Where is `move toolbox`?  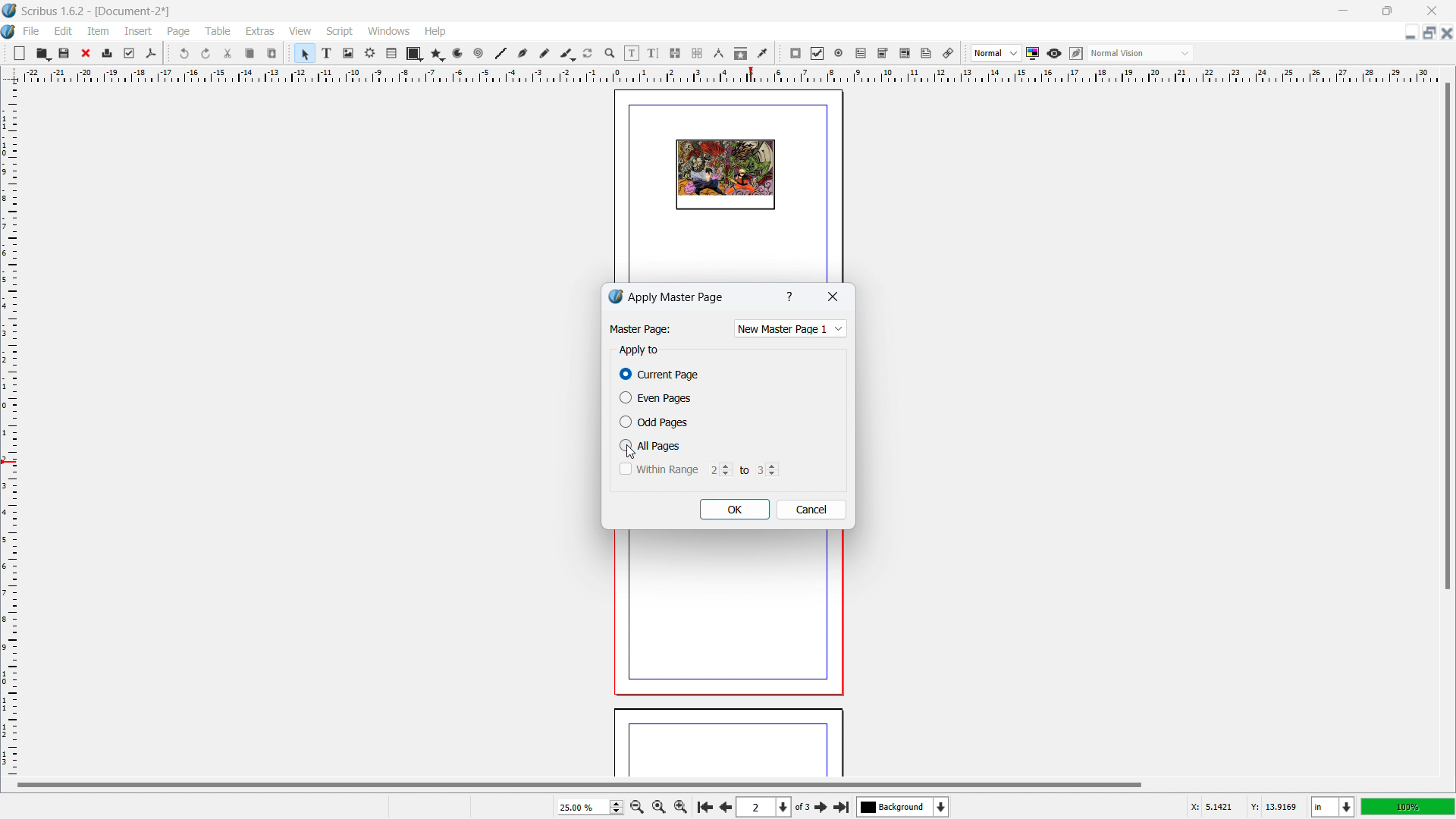
move toolbox is located at coordinates (780, 54).